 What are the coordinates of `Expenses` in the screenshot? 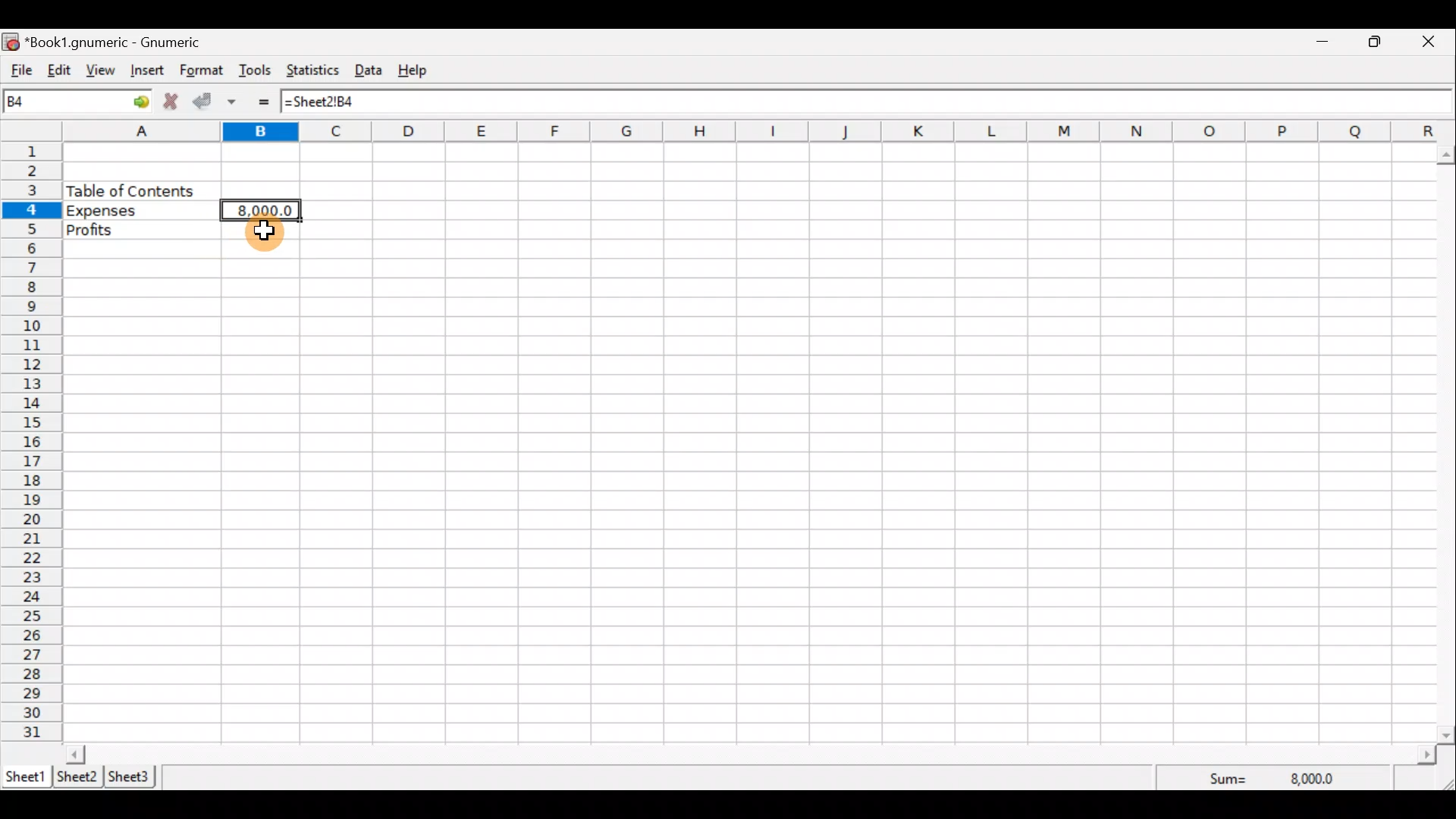 It's located at (140, 211).